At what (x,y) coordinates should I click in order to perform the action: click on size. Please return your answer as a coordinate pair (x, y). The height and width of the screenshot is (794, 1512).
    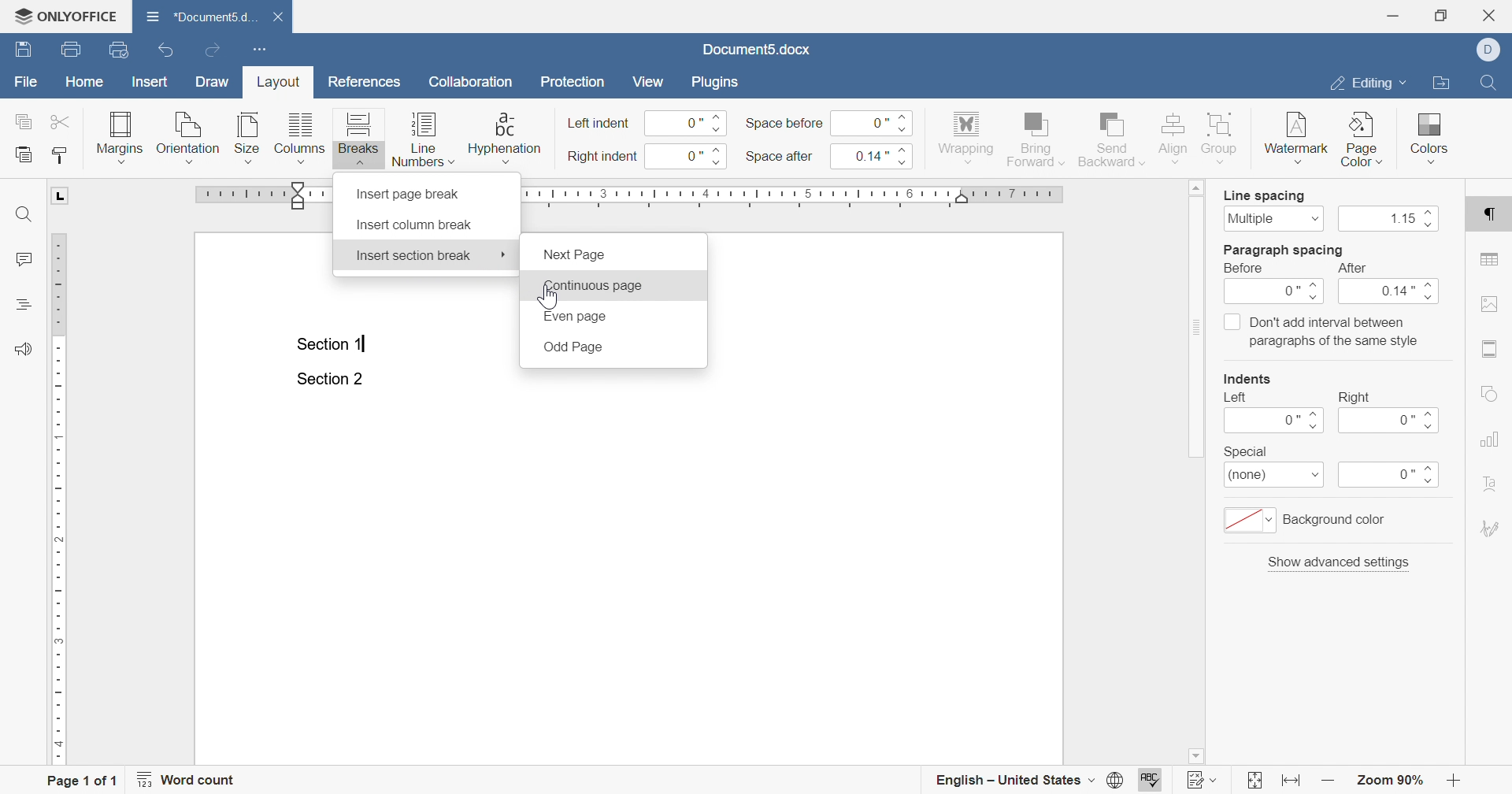
    Looking at the image, I should click on (246, 136).